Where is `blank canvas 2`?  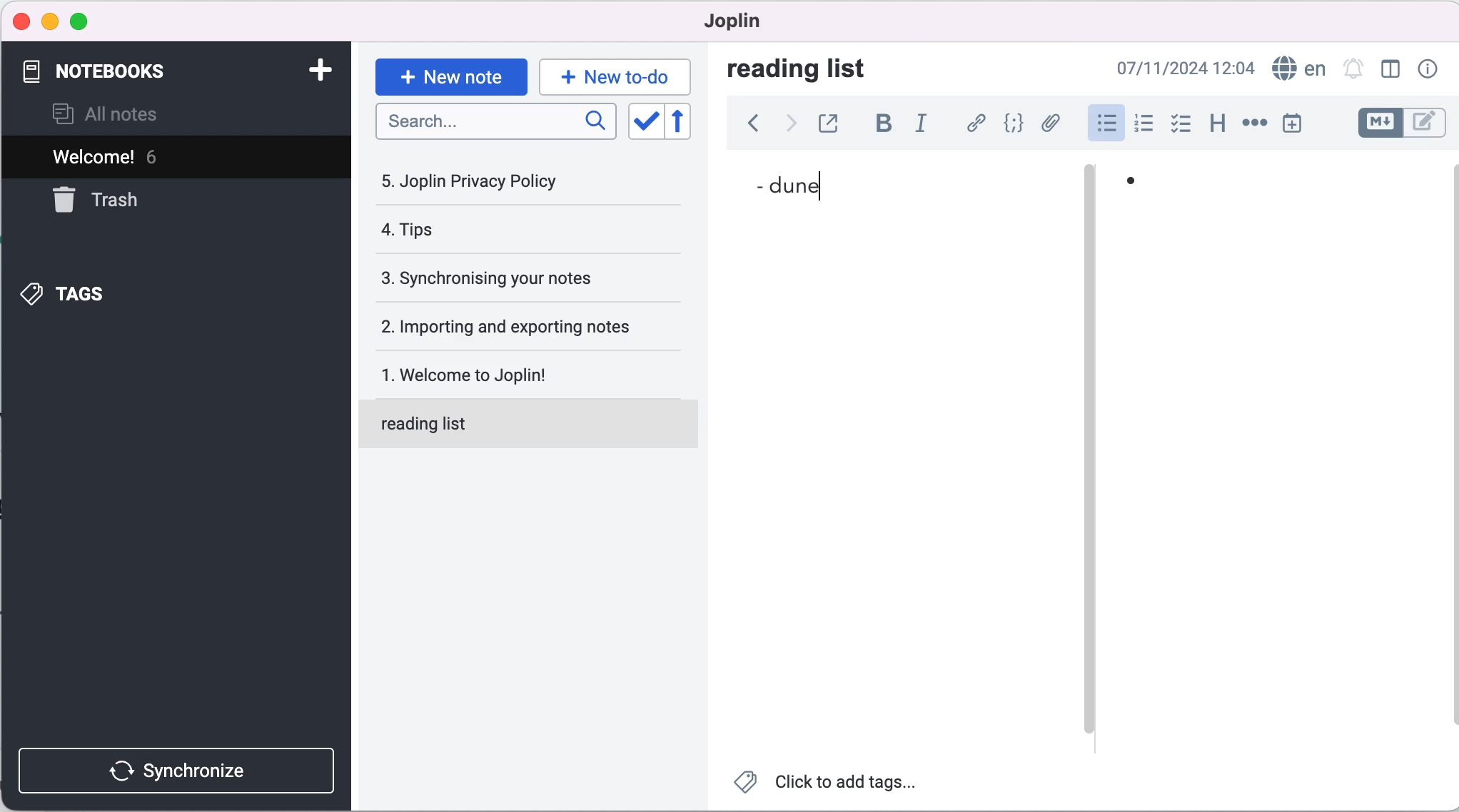 blank canvas 2 is located at coordinates (1276, 482).